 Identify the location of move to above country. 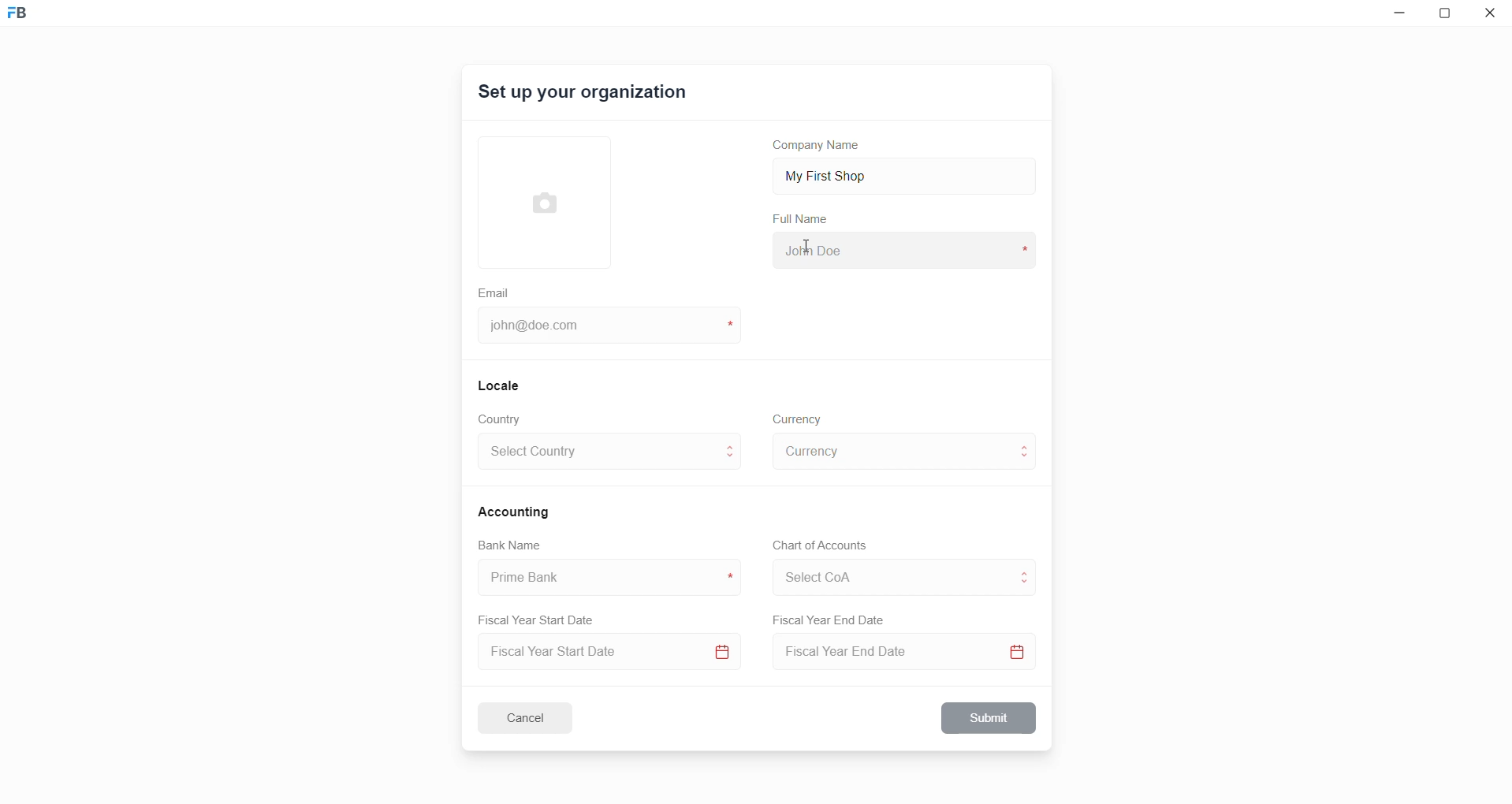
(733, 445).